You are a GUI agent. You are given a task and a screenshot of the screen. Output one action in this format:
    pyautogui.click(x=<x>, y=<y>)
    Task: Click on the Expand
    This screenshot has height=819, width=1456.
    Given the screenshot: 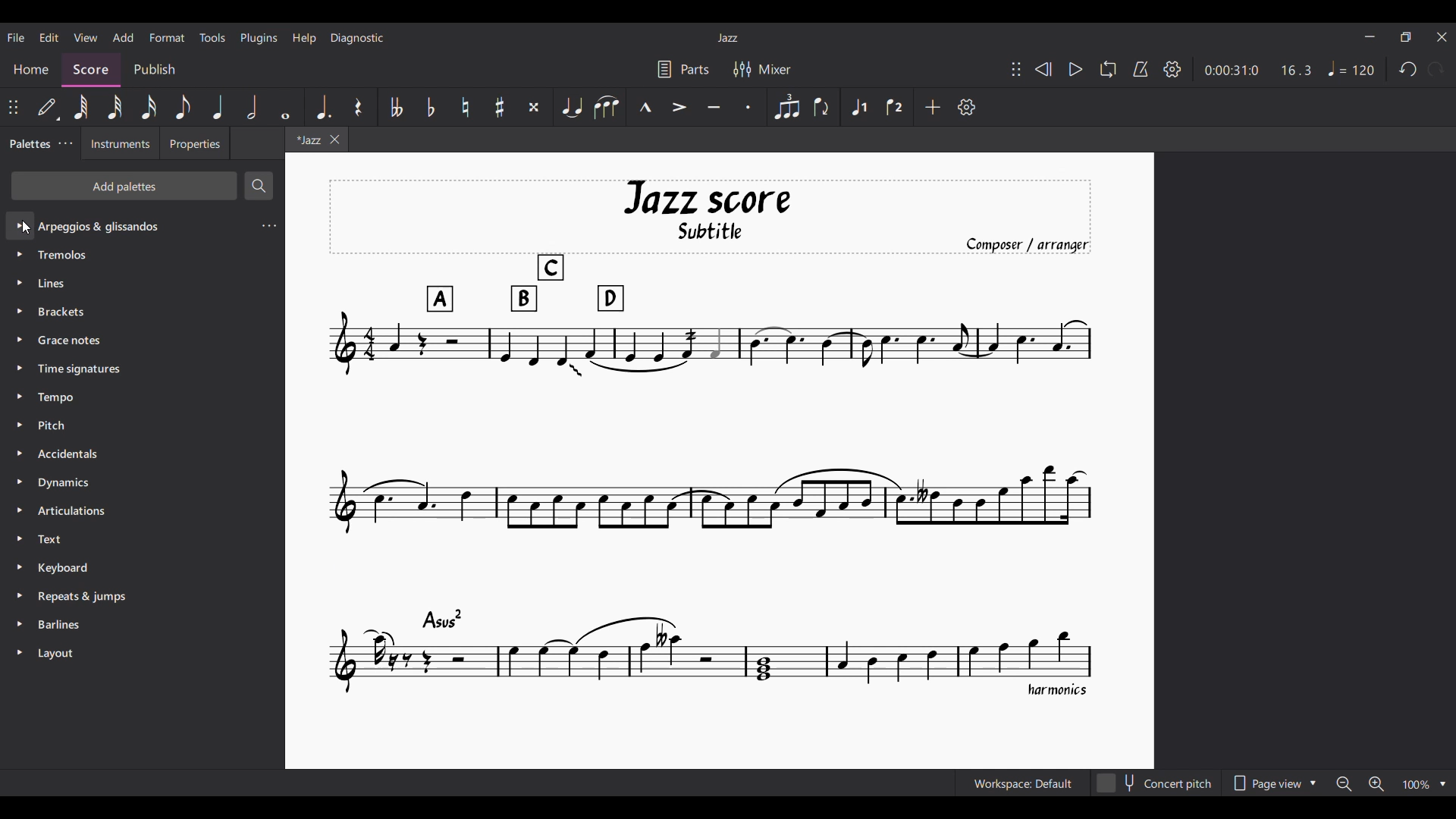 What is the action you would take?
    pyautogui.click(x=19, y=438)
    